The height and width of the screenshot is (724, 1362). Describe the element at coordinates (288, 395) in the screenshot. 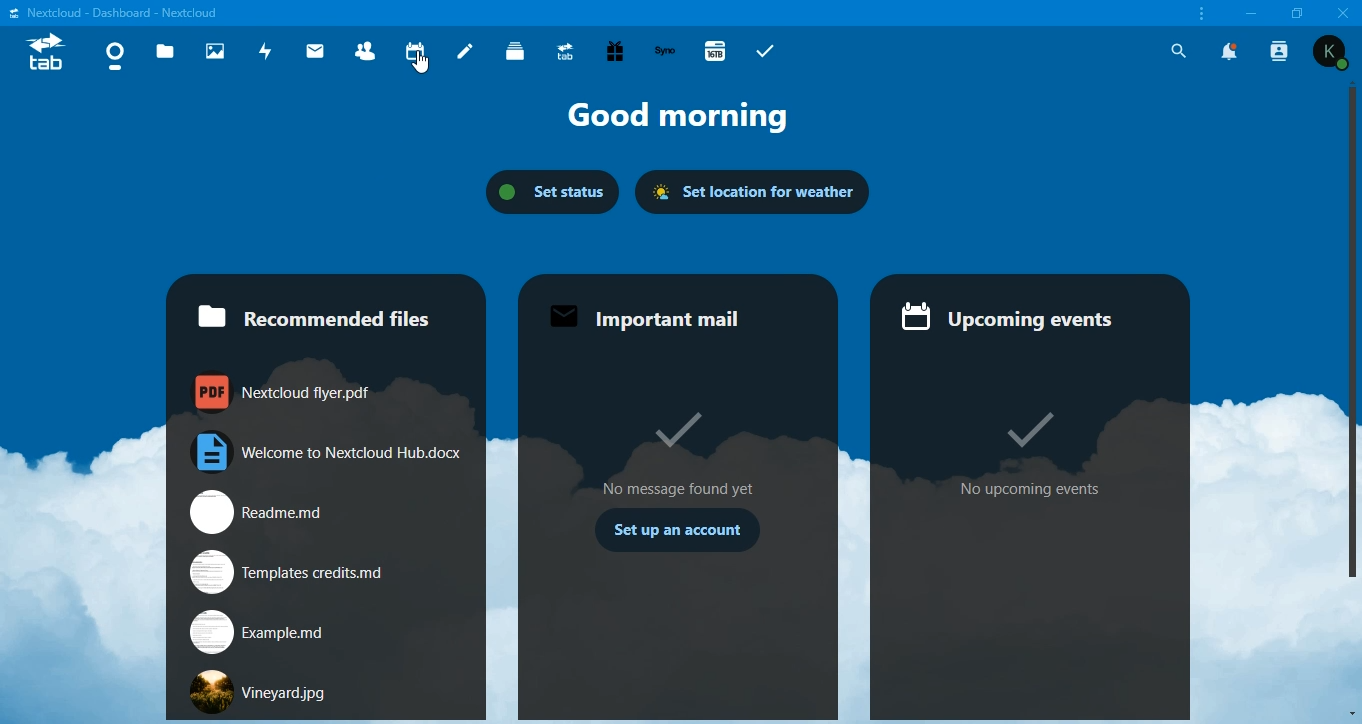

I see `nextcloud flyer.pdf` at that location.